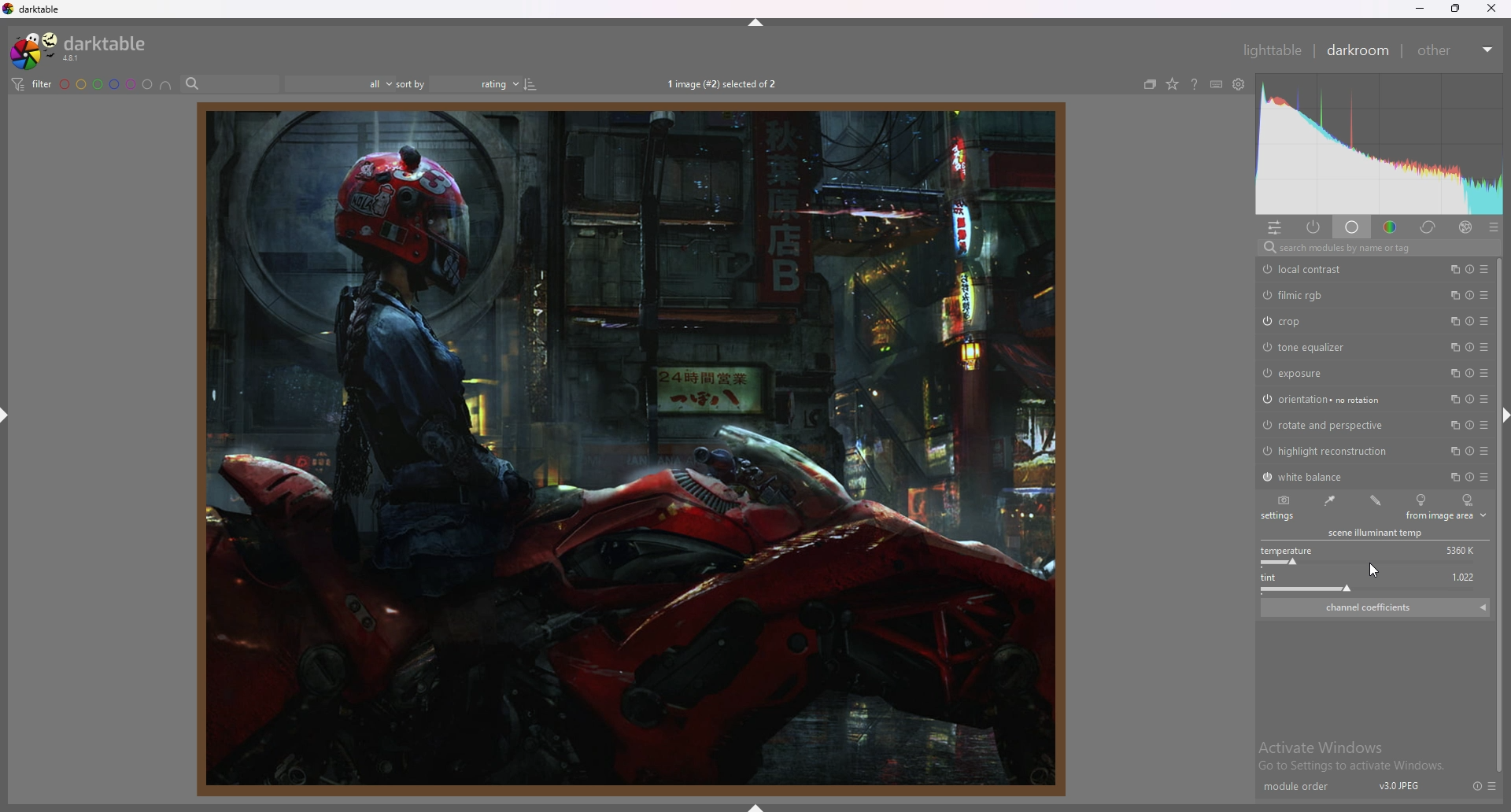 Image resolution: width=1511 pixels, height=812 pixels. I want to click on exposure, so click(1317, 373).